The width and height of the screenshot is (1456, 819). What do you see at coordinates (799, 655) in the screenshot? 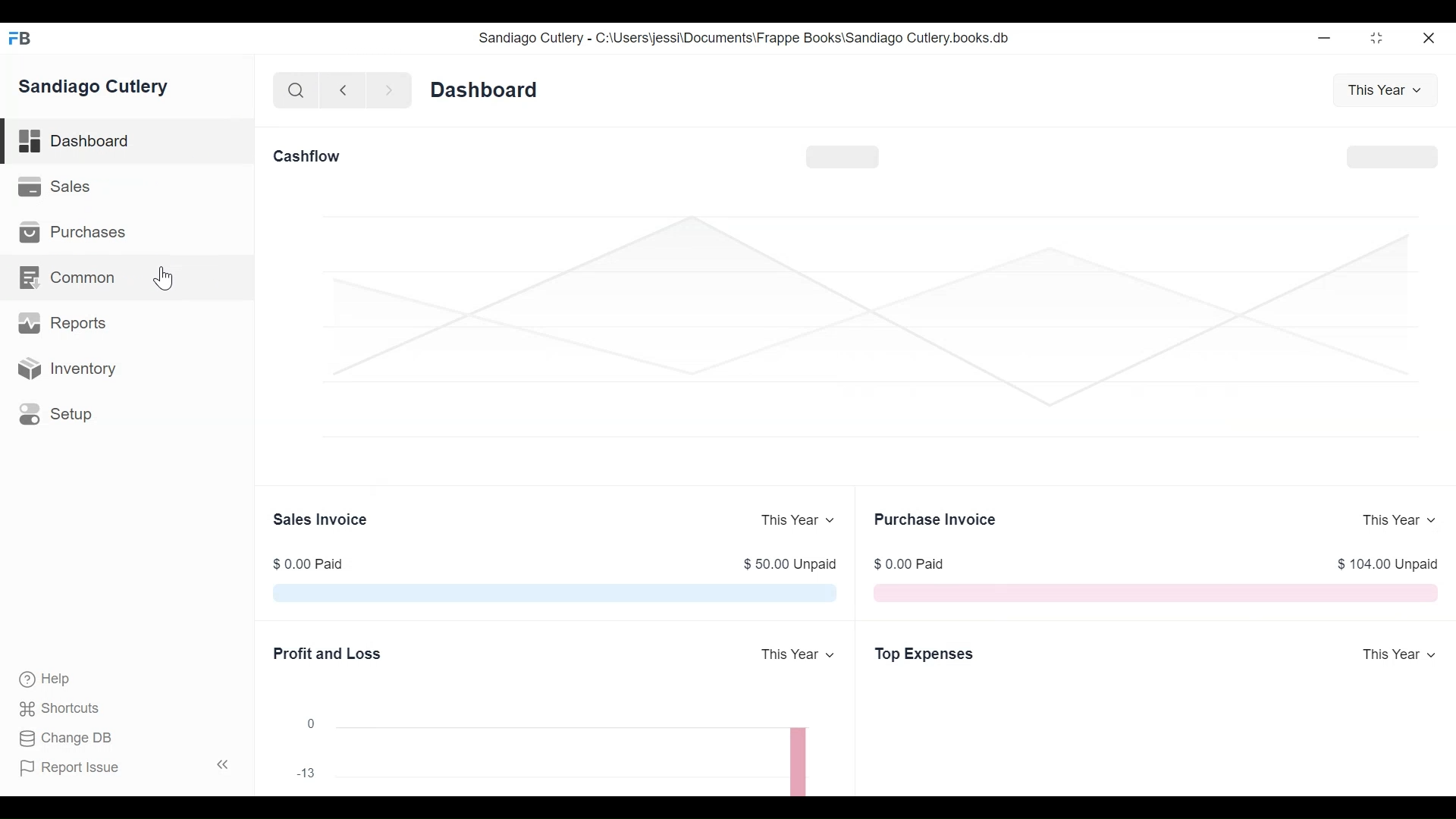
I see `This Year` at bounding box center [799, 655].